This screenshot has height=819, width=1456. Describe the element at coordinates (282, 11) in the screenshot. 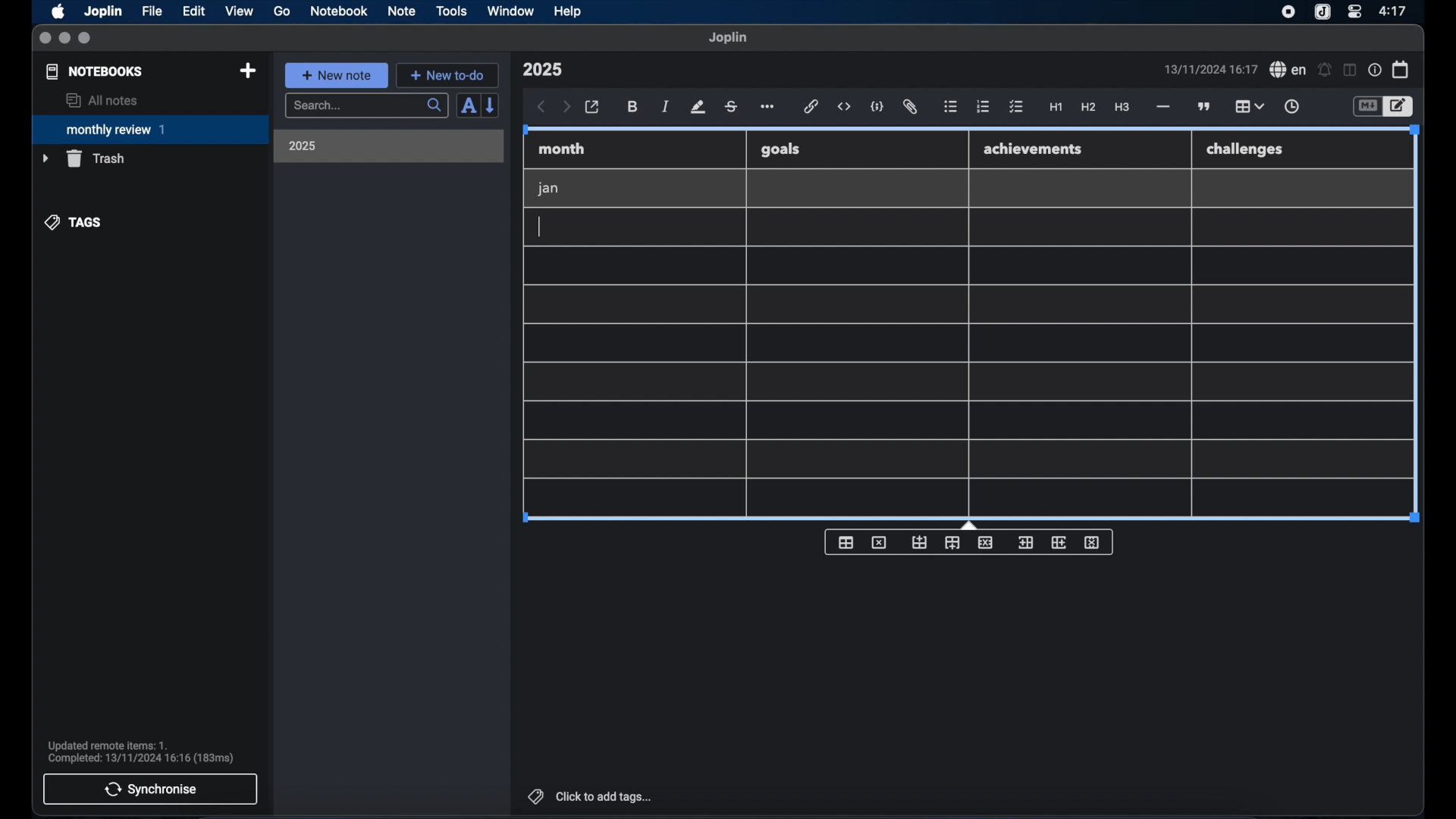

I see `go` at that location.